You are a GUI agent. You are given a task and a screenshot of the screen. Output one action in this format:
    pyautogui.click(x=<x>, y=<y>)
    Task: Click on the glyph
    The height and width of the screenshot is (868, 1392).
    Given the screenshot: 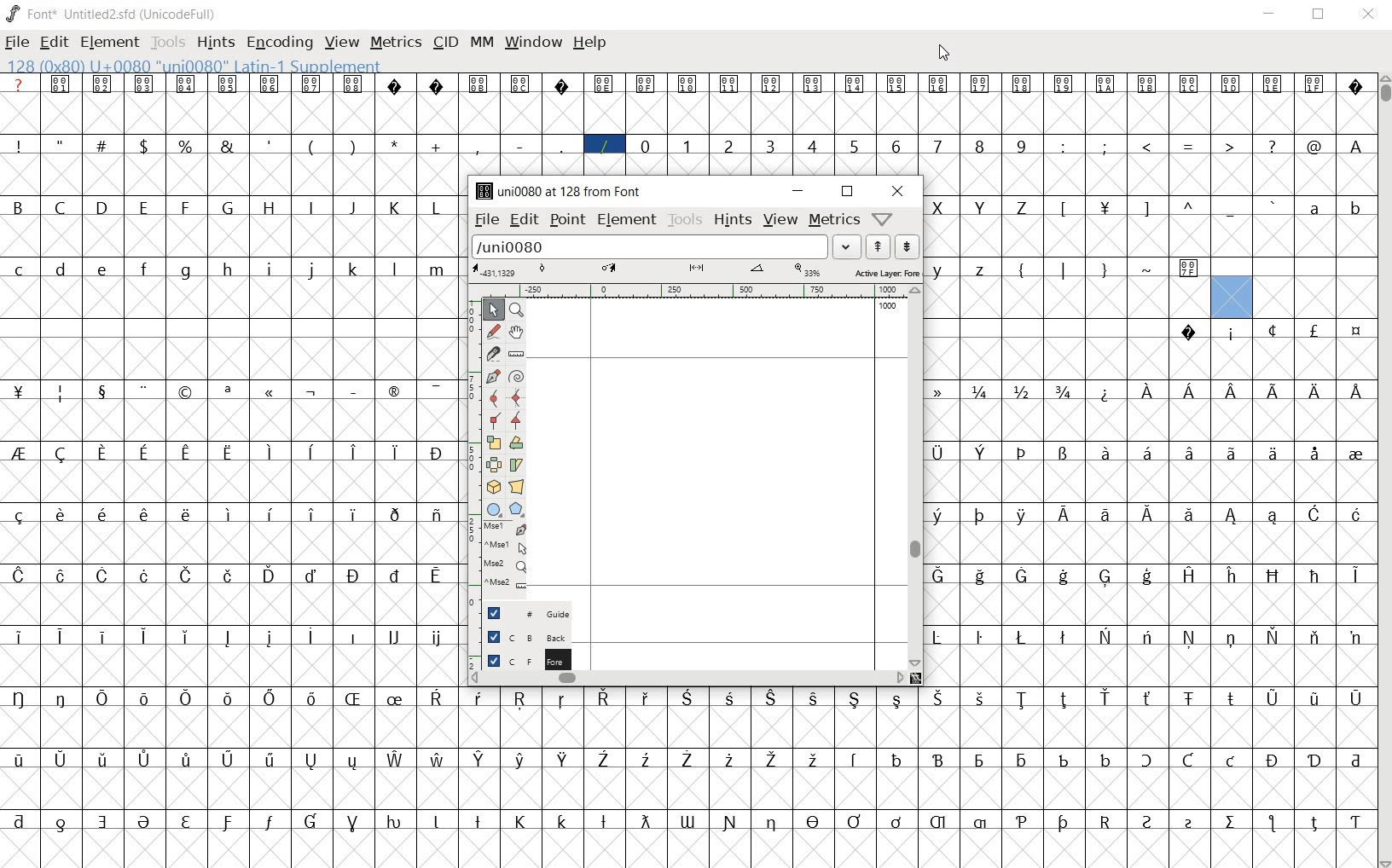 What is the action you would take?
    pyautogui.click(x=184, y=272)
    